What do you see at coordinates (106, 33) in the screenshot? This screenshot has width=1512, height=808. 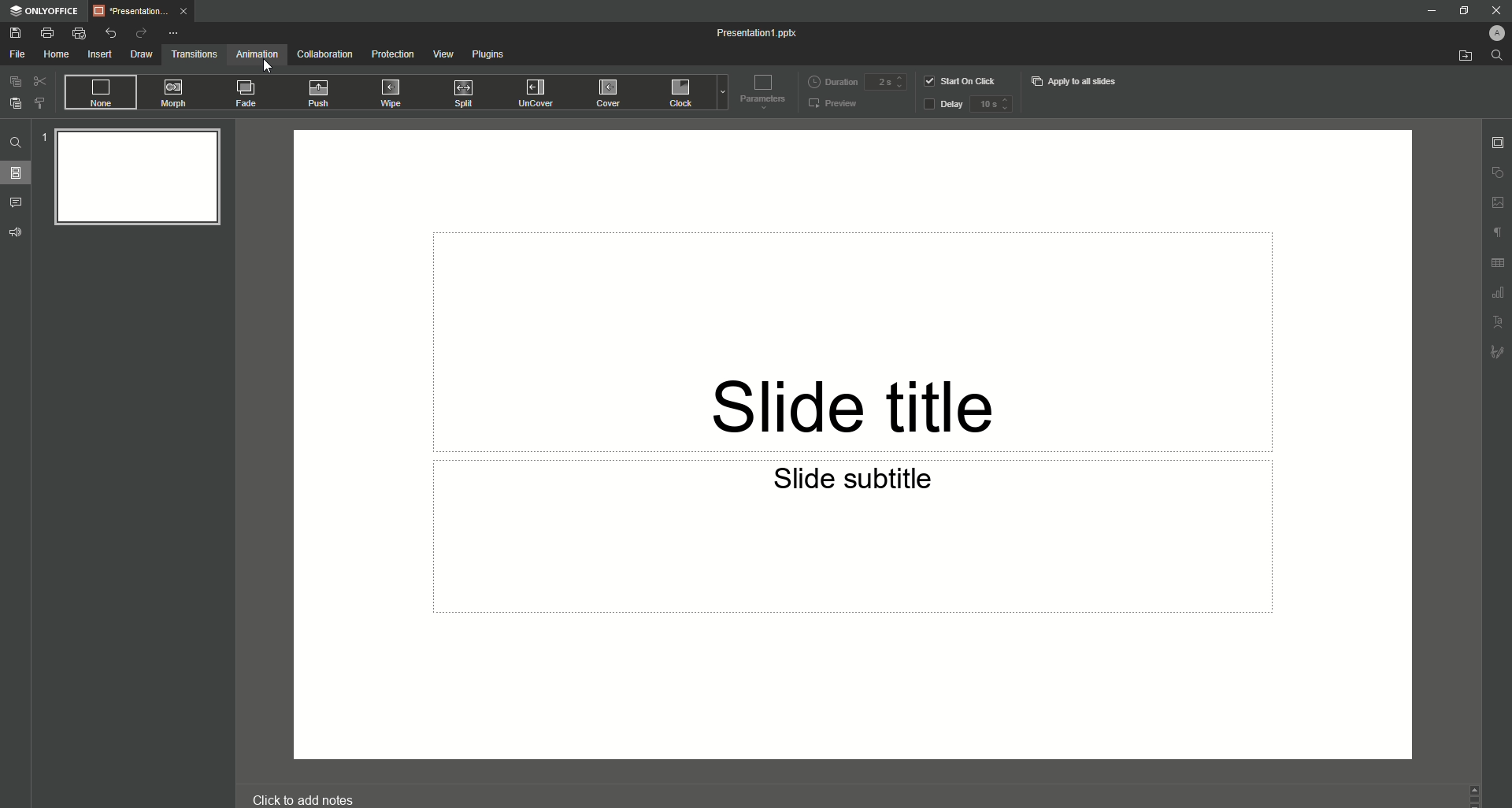 I see `Undo` at bounding box center [106, 33].